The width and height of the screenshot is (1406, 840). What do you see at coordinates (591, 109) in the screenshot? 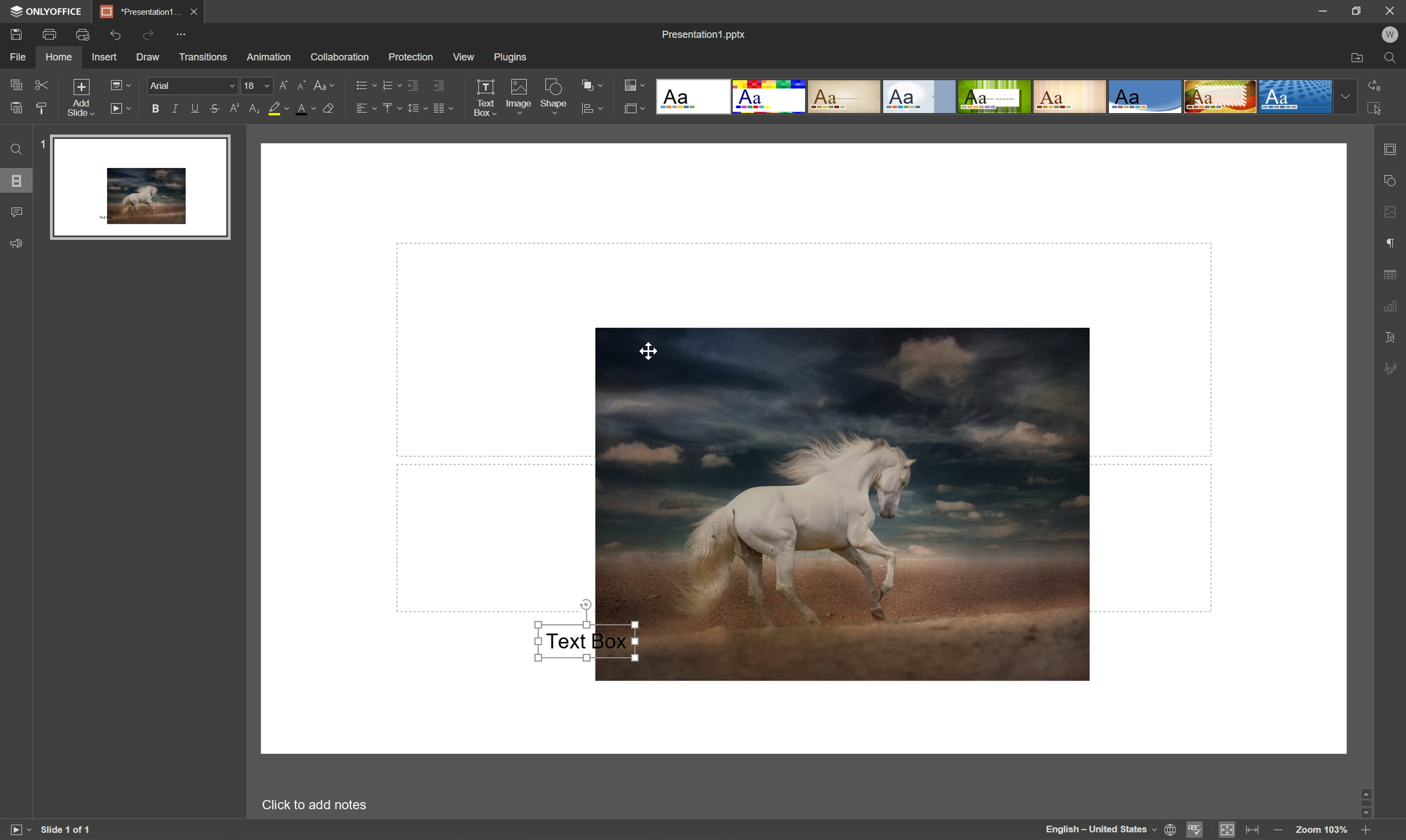
I see `Align shapes` at bounding box center [591, 109].